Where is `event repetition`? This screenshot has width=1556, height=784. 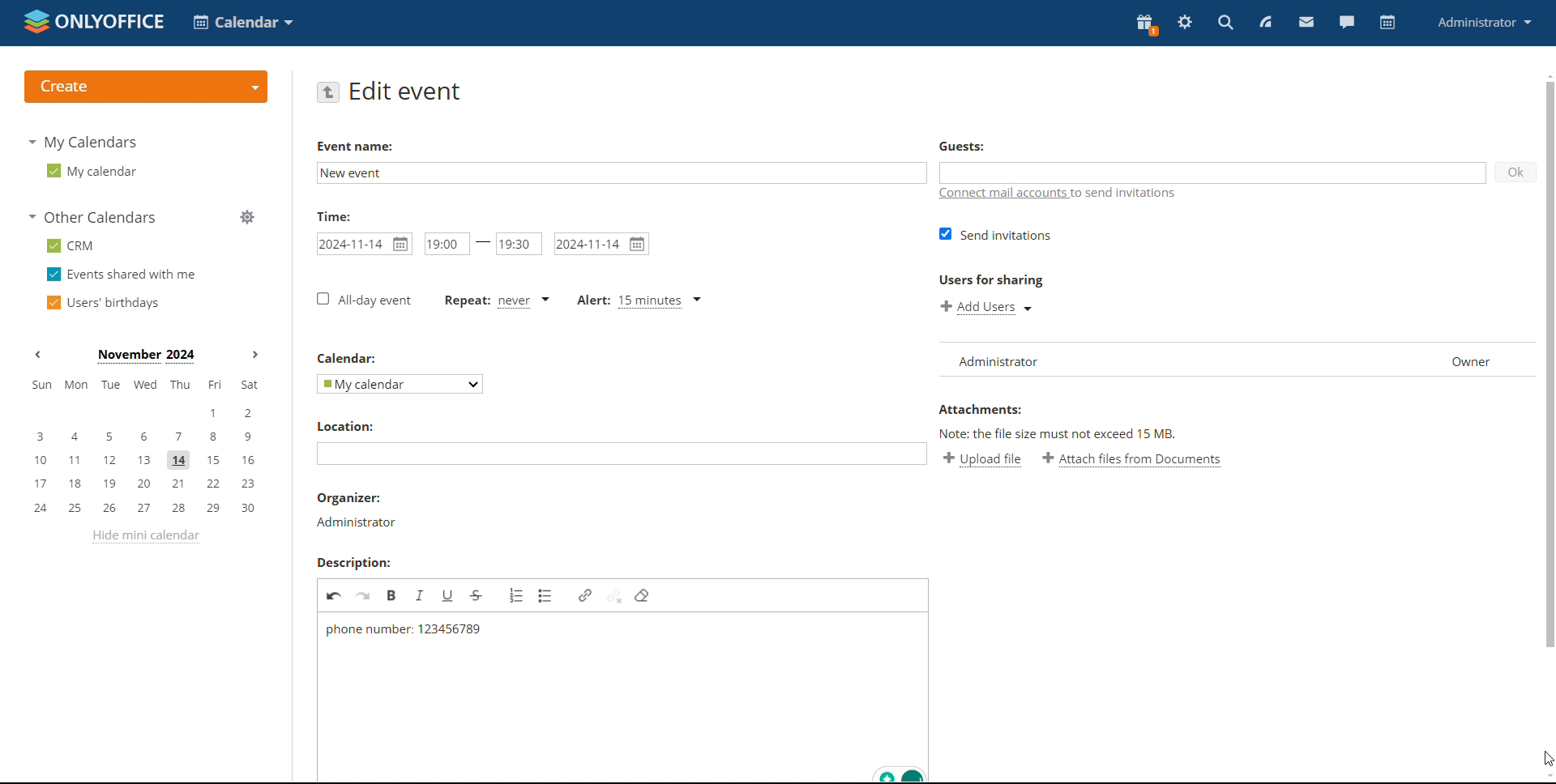
event repetition is located at coordinates (498, 300).